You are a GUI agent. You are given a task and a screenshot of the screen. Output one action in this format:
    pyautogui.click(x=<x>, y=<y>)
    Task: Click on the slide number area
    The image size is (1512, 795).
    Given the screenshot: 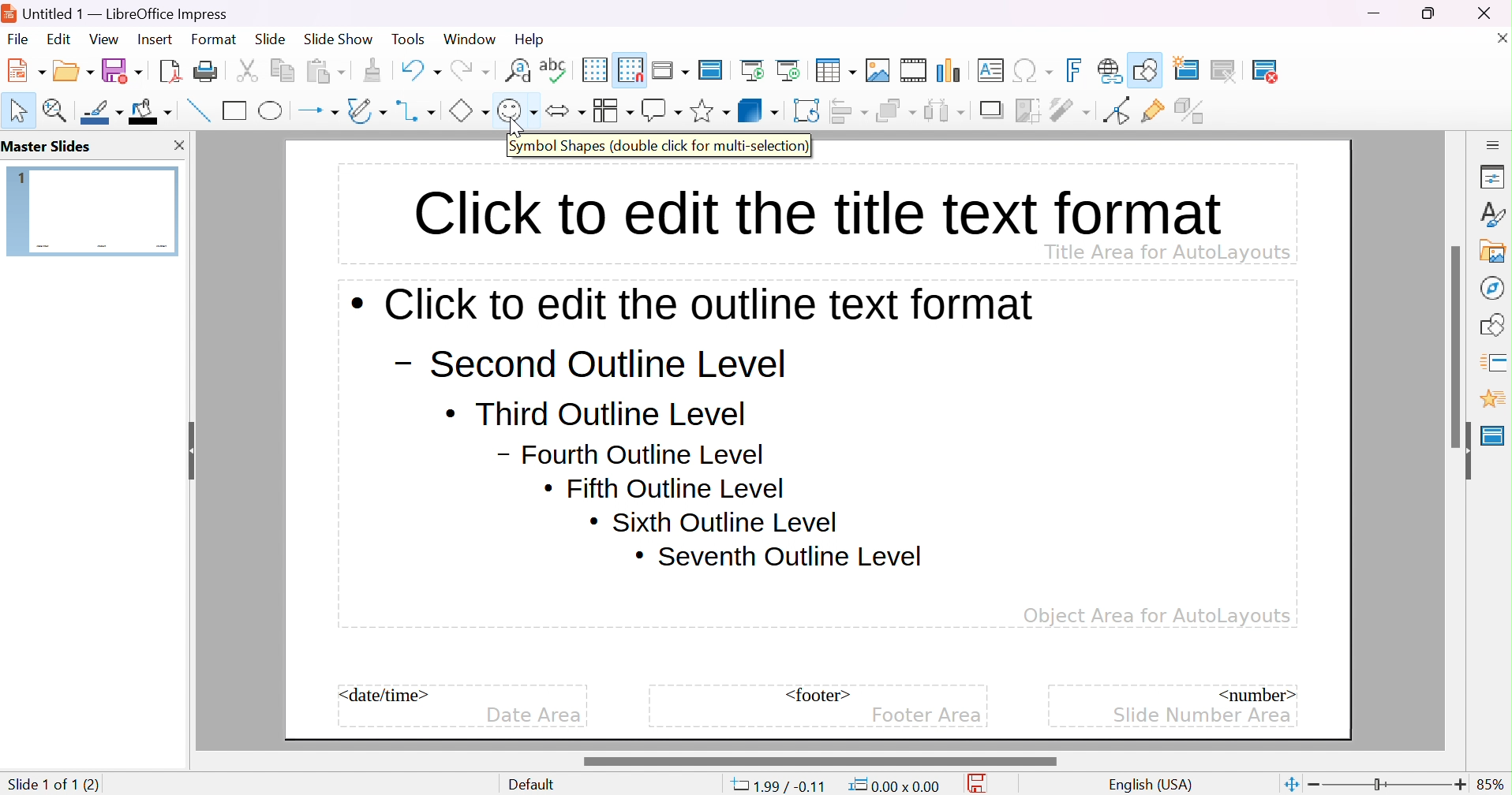 What is the action you would take?
    pyautogui.click(x=1203, y=714)
    